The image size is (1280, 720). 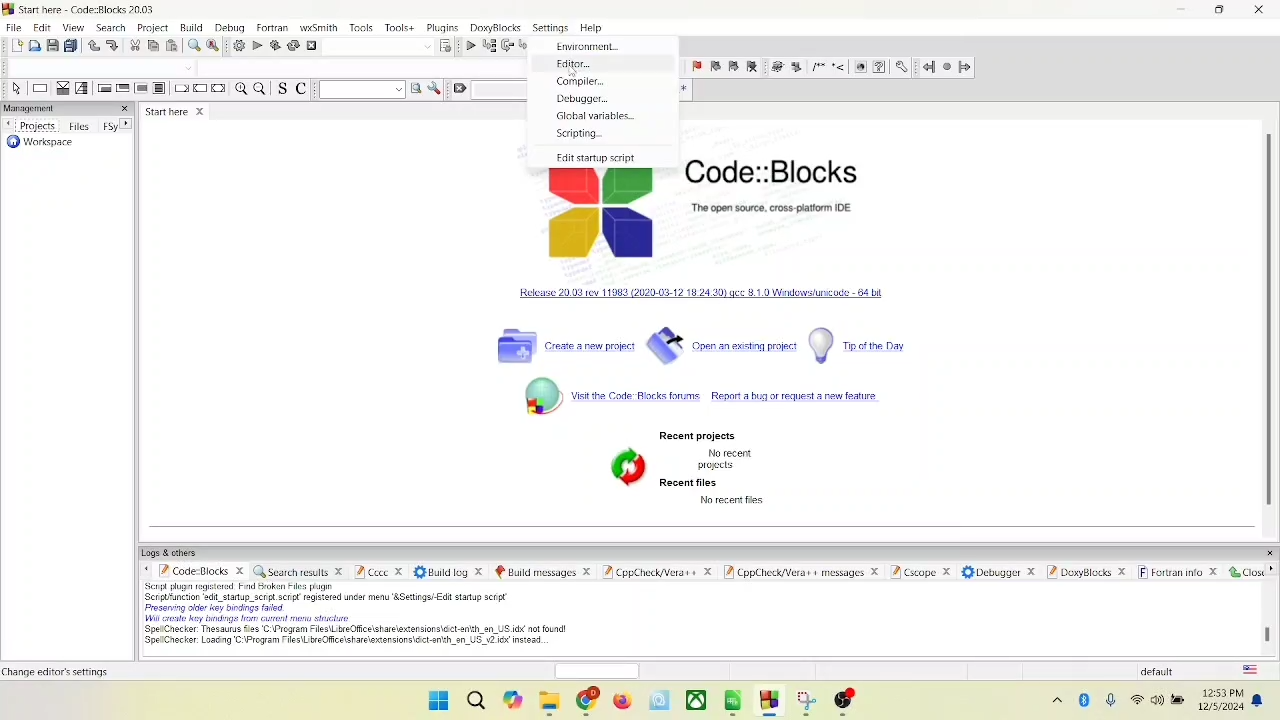 What do you see at coordinates (359, 90) in the screenshot?
I see `text search` at bounding box center [359, 90].